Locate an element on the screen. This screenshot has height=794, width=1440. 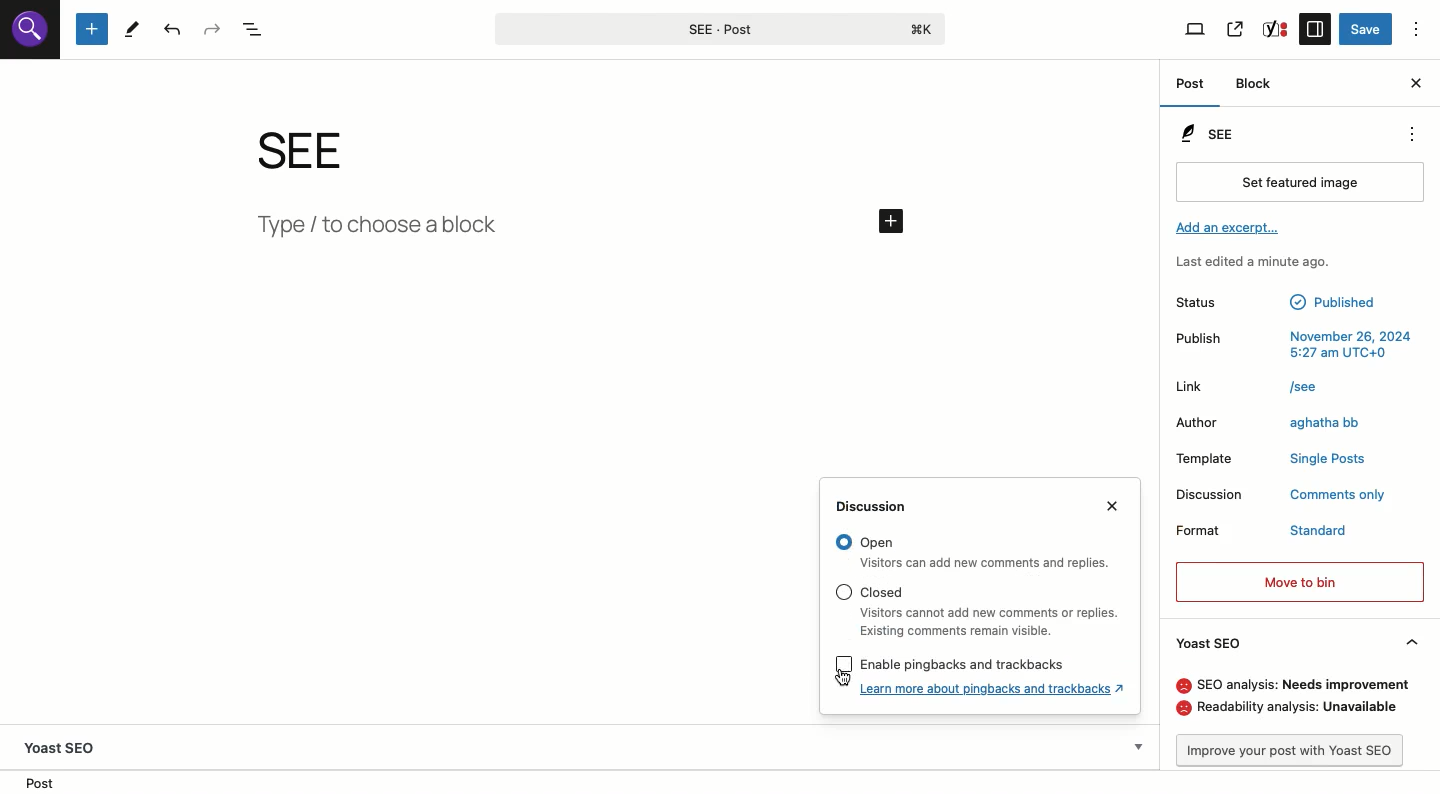
see is located at coordinates (322, 150).